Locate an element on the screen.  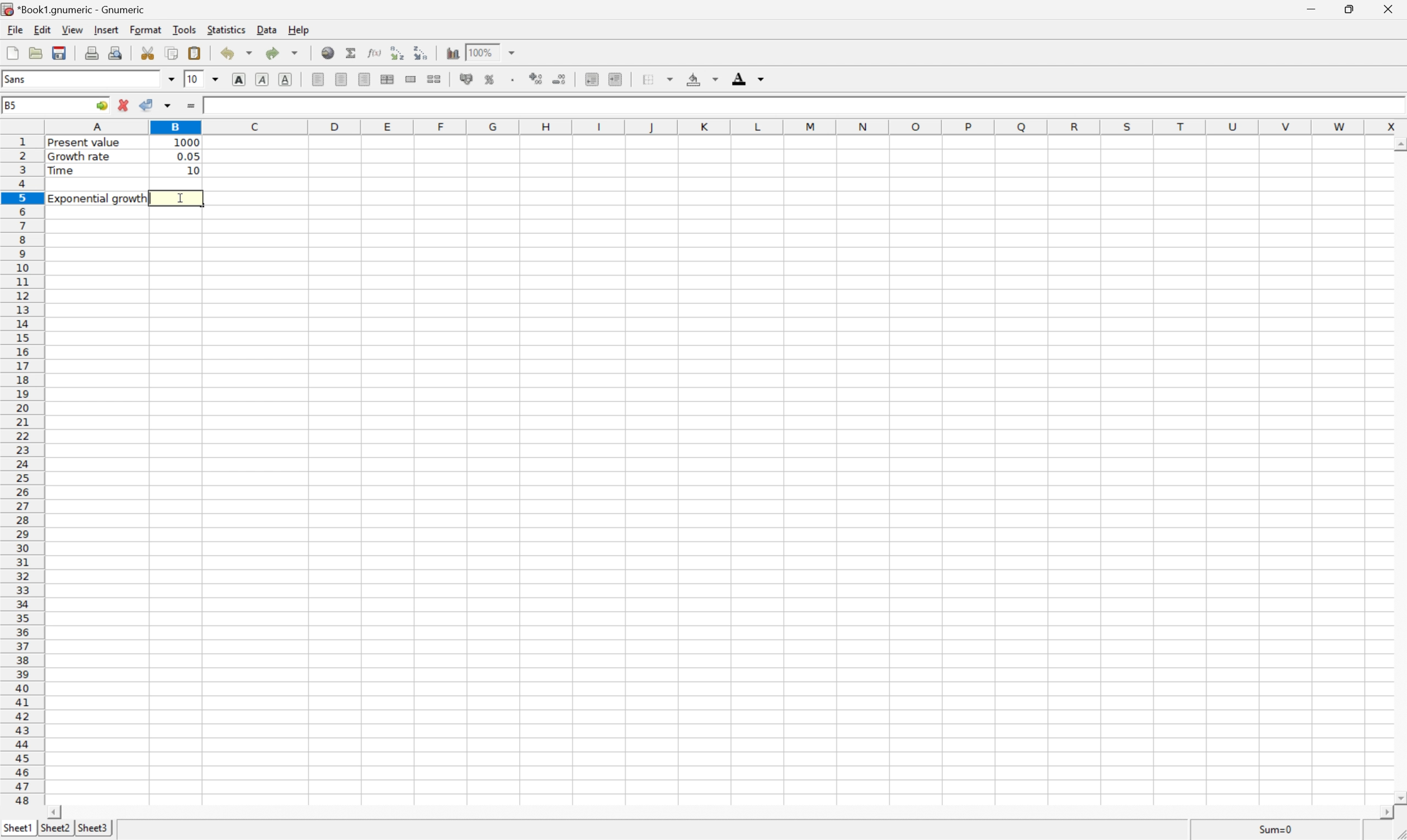
Help is located at coordinates (299, 30).